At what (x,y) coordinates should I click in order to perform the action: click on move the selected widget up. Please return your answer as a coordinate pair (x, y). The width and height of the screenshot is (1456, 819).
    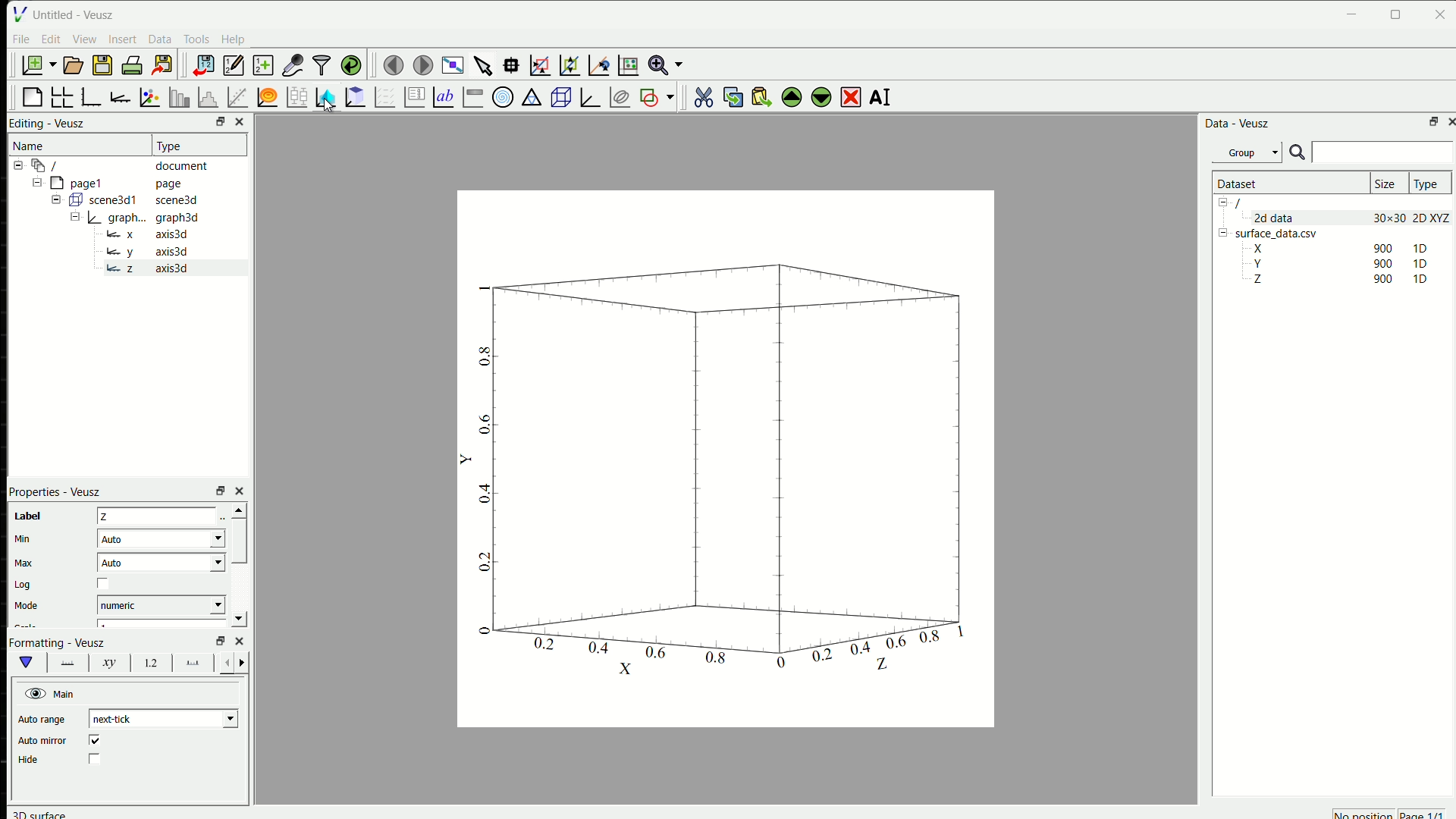
    Looking at the image, I should click on (792, 96).